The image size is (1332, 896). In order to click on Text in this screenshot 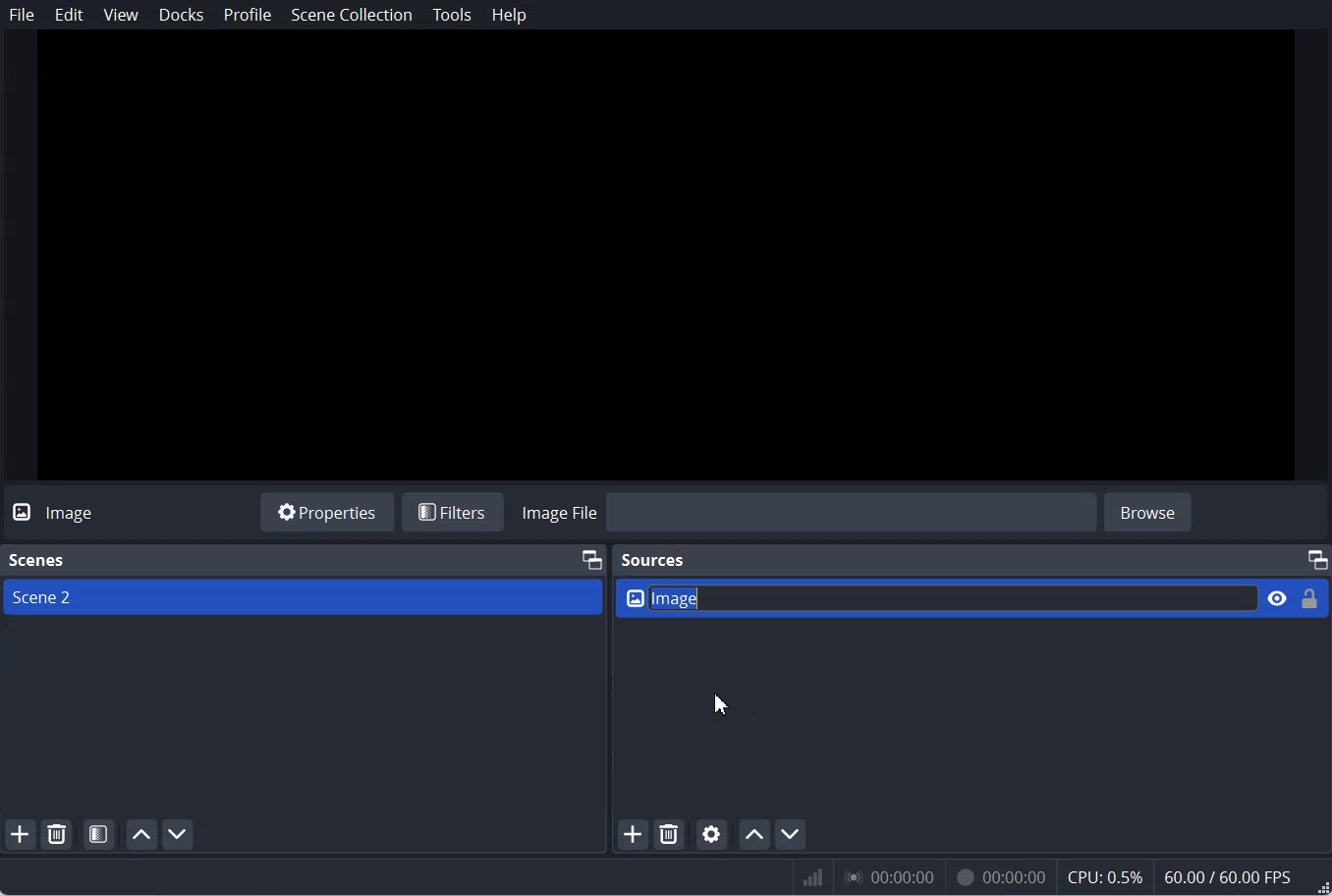, I will do `click(37, 561)`.